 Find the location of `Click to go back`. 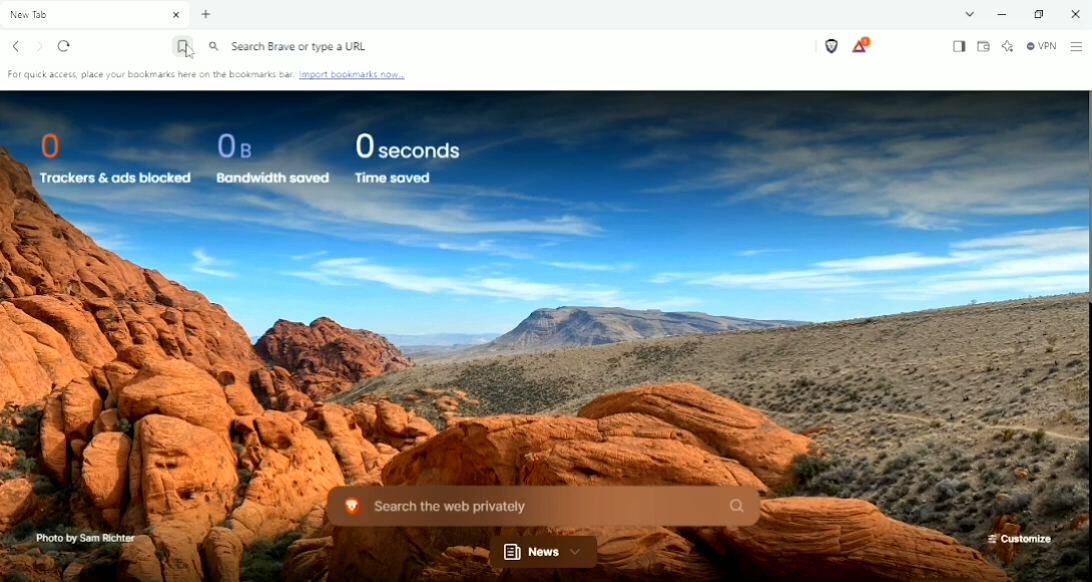

Click to go back is located at coordinates (17, 46).